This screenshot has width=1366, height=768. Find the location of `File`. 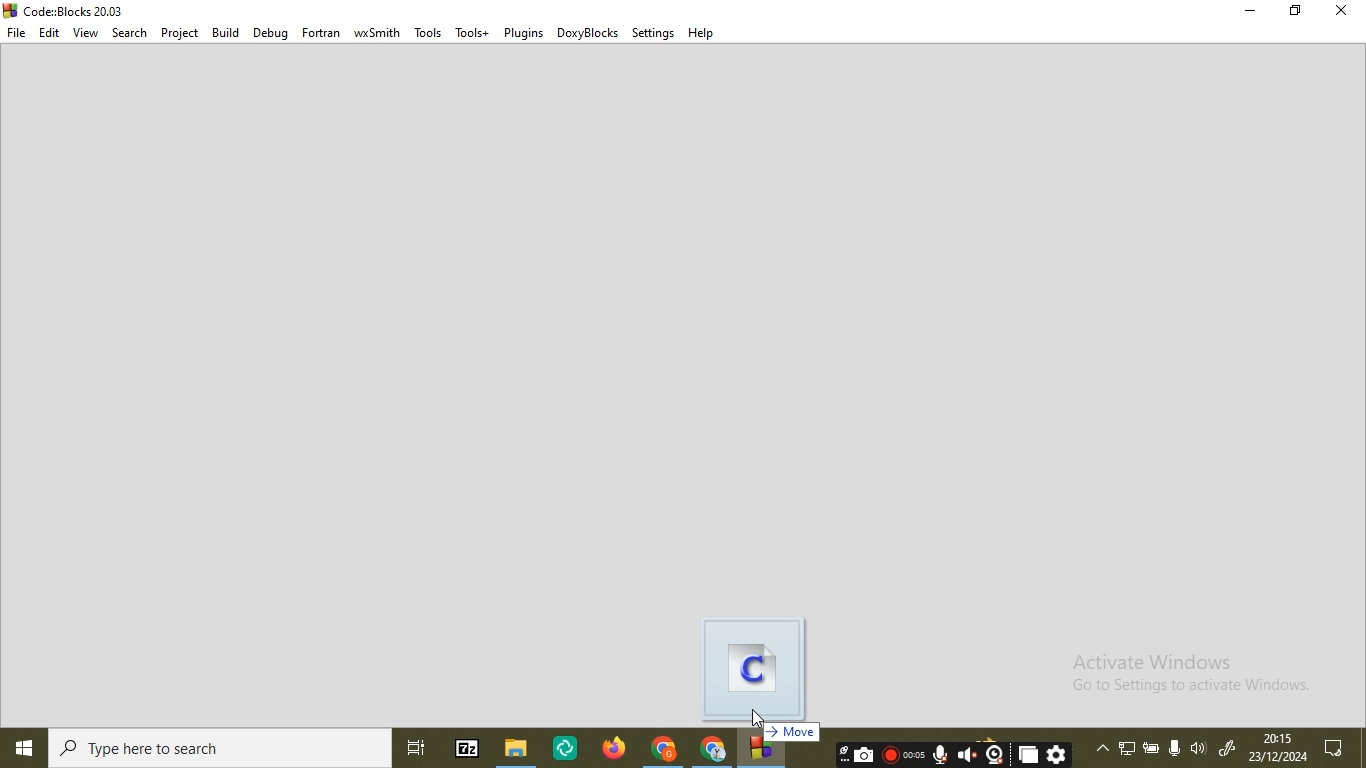

File is located at coordinates (17, 32).